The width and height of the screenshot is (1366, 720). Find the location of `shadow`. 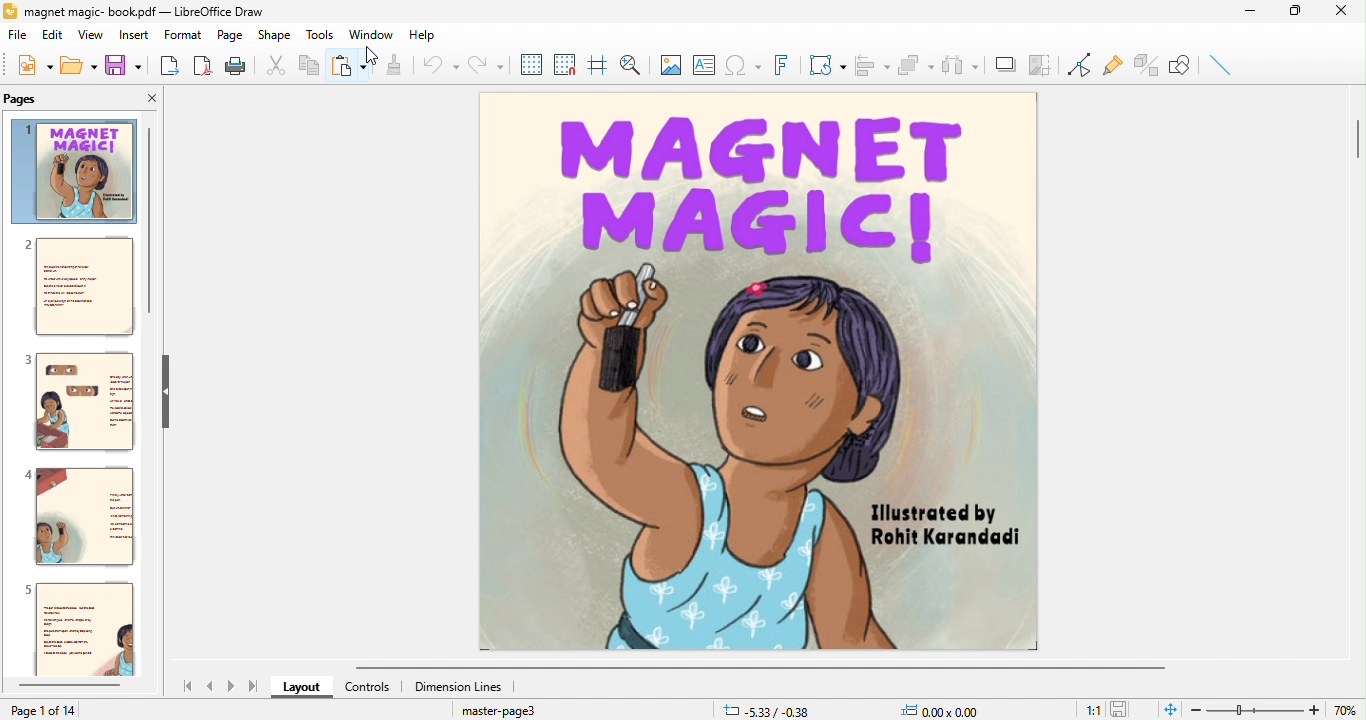

shadow is located at coordinates (1003, 63).